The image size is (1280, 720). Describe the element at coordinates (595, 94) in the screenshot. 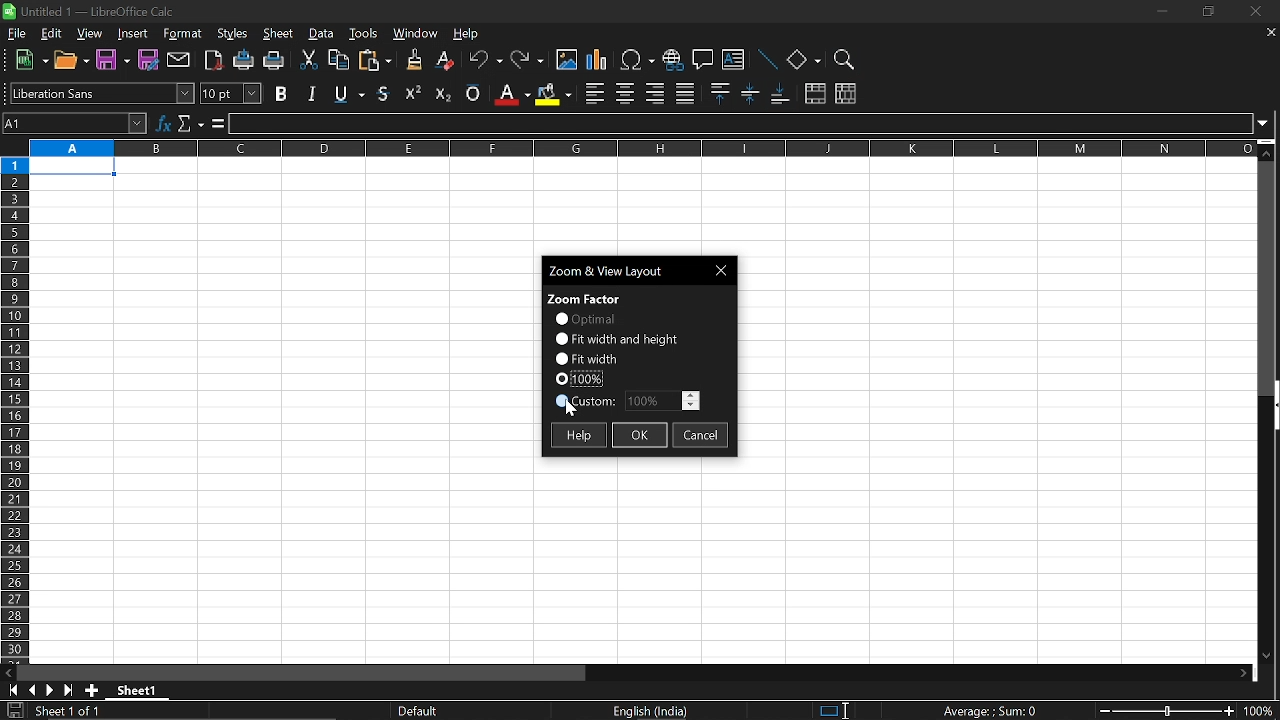

I see `align left` at that location.